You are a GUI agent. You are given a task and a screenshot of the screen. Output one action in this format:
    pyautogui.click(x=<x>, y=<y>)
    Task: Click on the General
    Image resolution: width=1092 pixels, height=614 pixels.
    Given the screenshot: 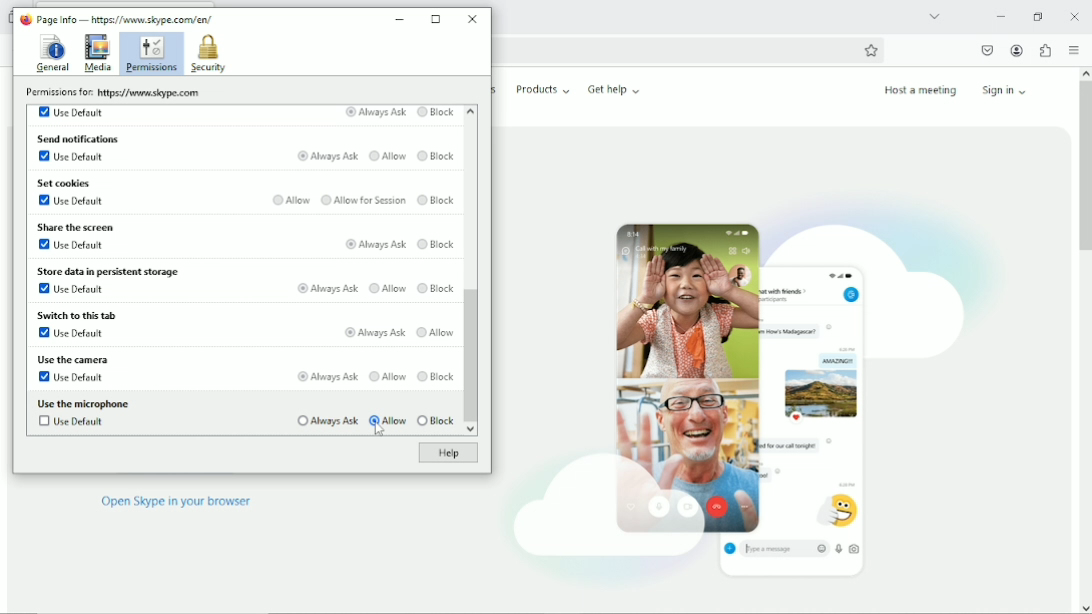 What is the action you would take?
    pyautogui.click(x=51, y=54)
    